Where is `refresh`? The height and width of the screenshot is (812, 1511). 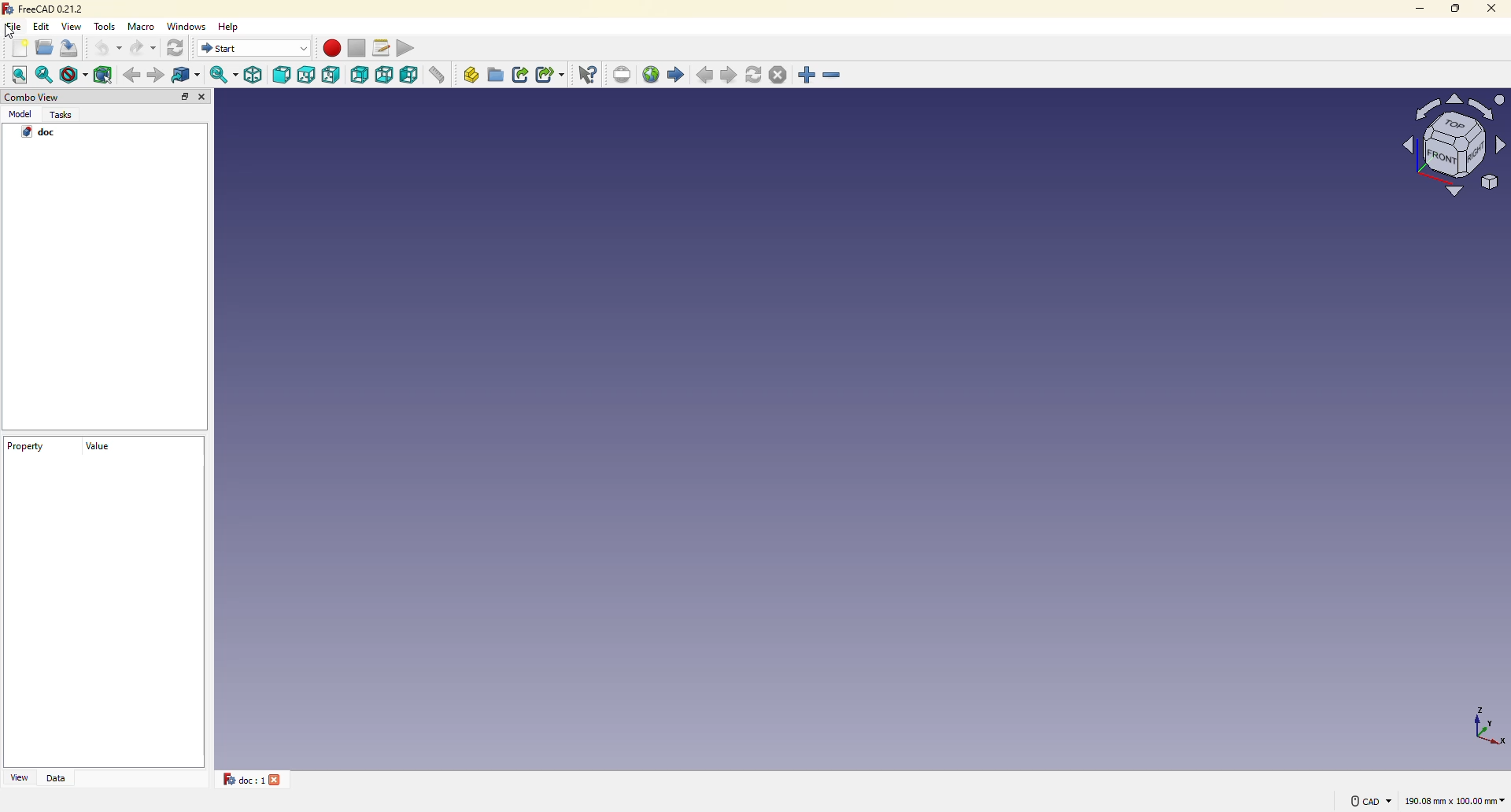 refresh is located at coordinates (755, 74).